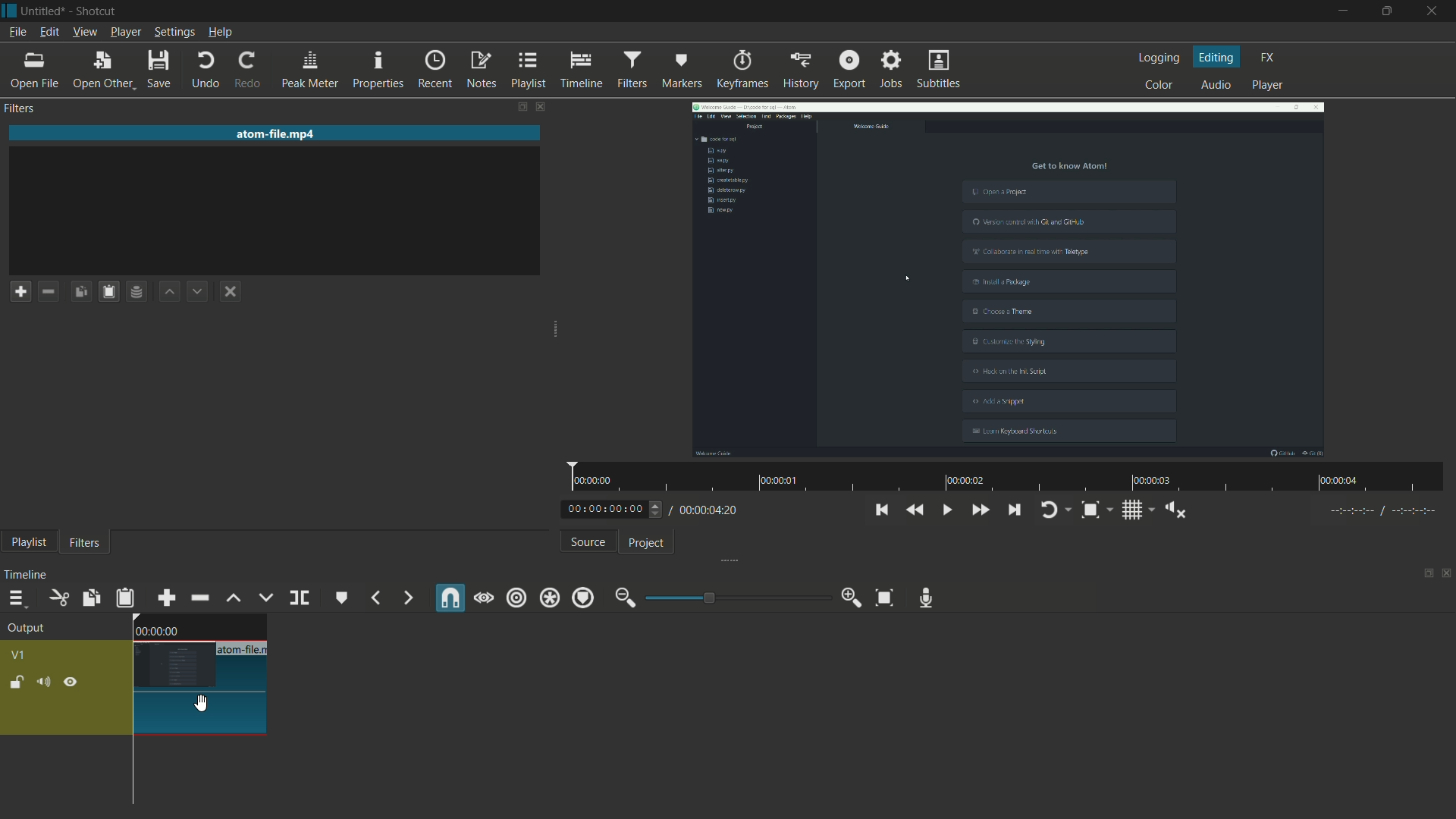  What do you see at coordinates (299, 598) in the screenshot?
I see `split at playhead` at bounding box center [299, 598].